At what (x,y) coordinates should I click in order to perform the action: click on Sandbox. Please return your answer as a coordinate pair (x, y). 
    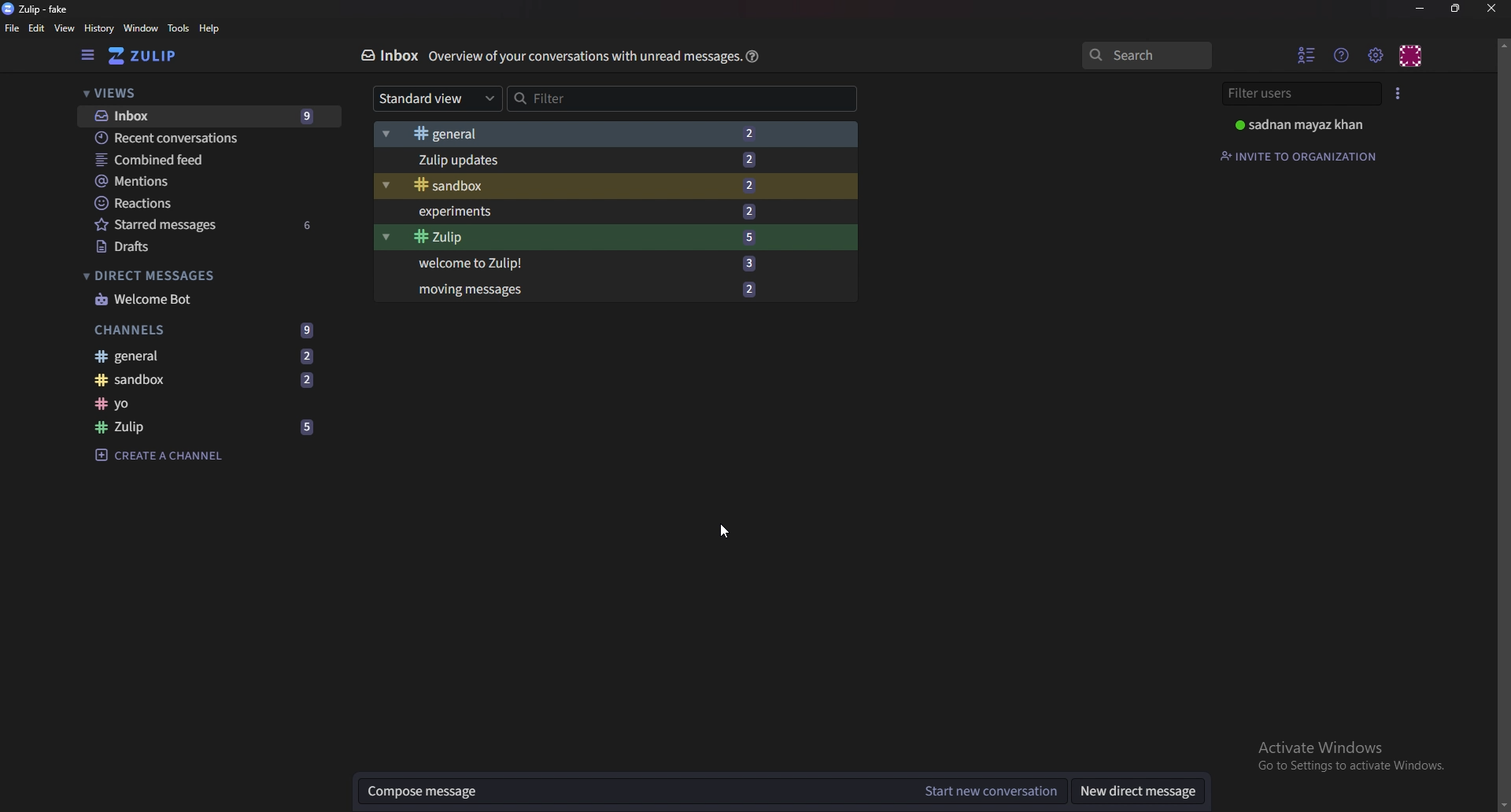
    Looking at the image, I should click on (617, 185).